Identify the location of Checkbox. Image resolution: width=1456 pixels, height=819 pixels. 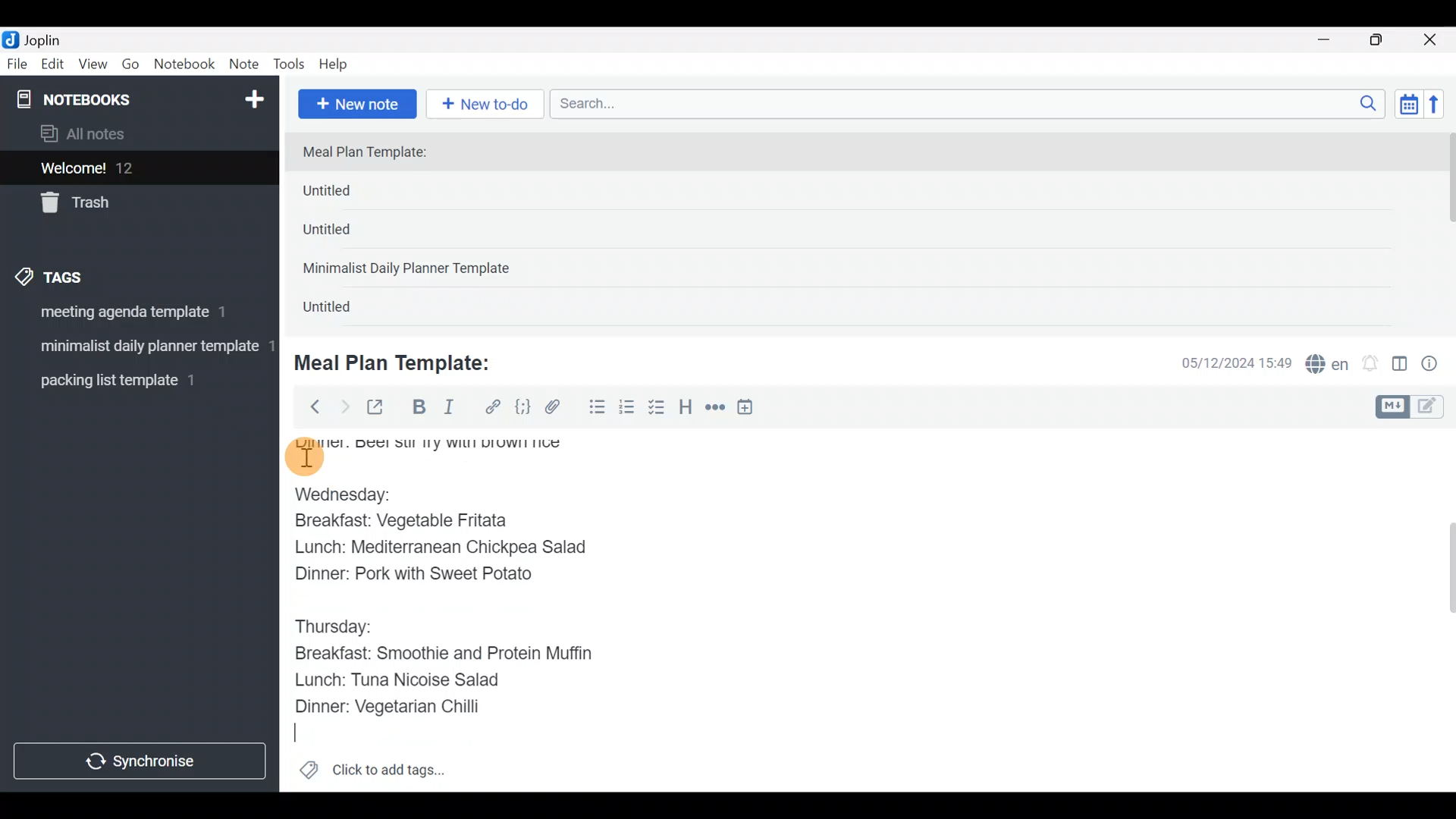
(658, 409).